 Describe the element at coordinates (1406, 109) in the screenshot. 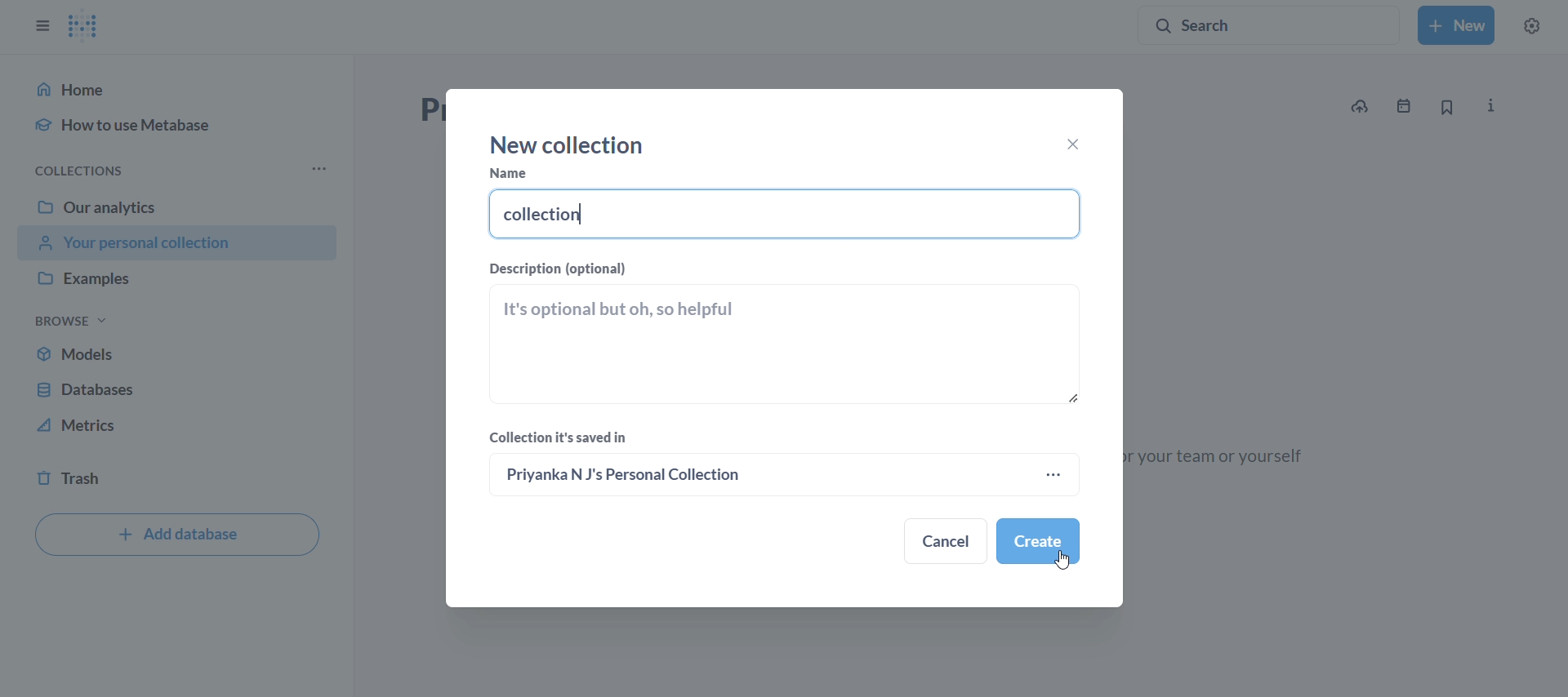

I see `events` at that location.